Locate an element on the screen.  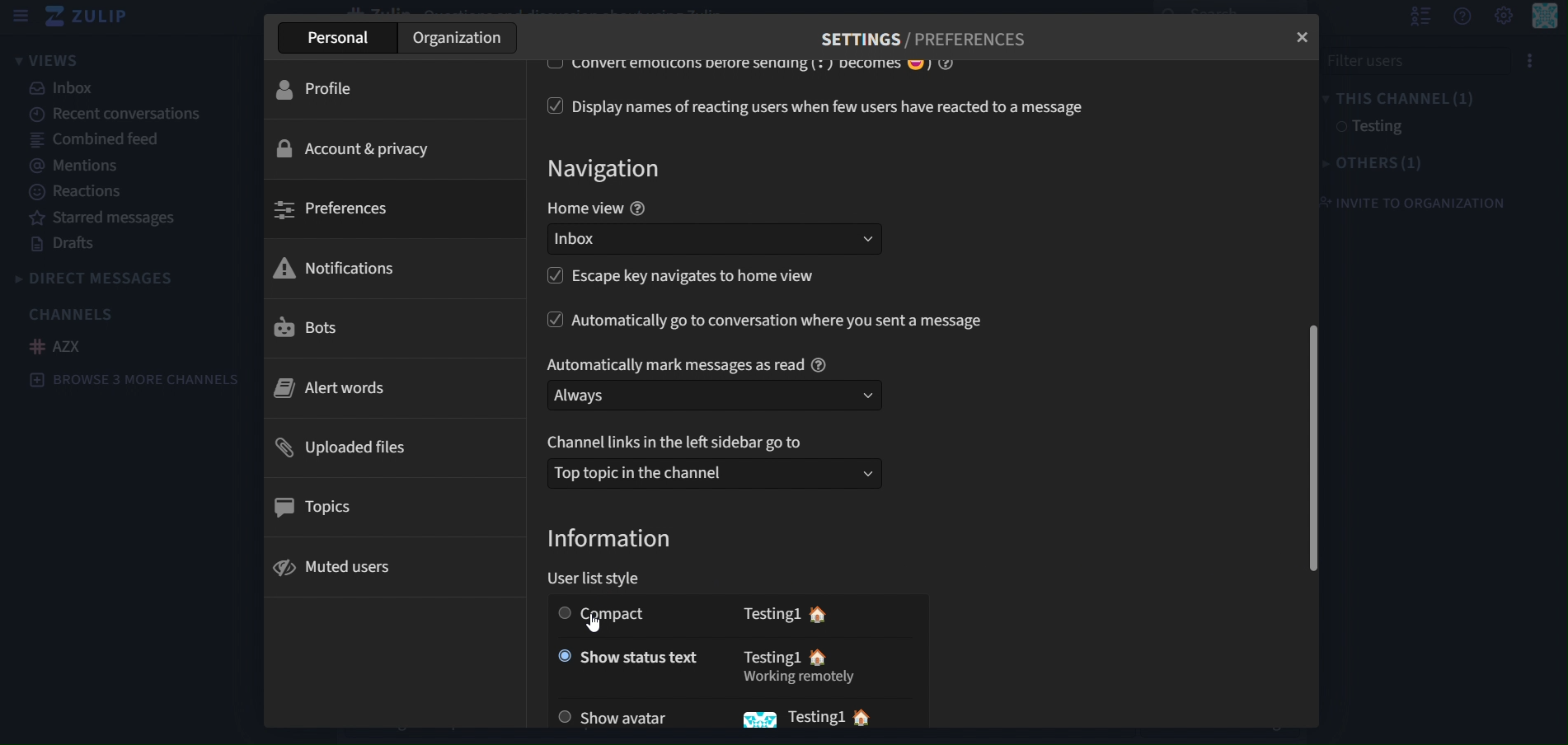
Icon is located at coordinates (753, 722).